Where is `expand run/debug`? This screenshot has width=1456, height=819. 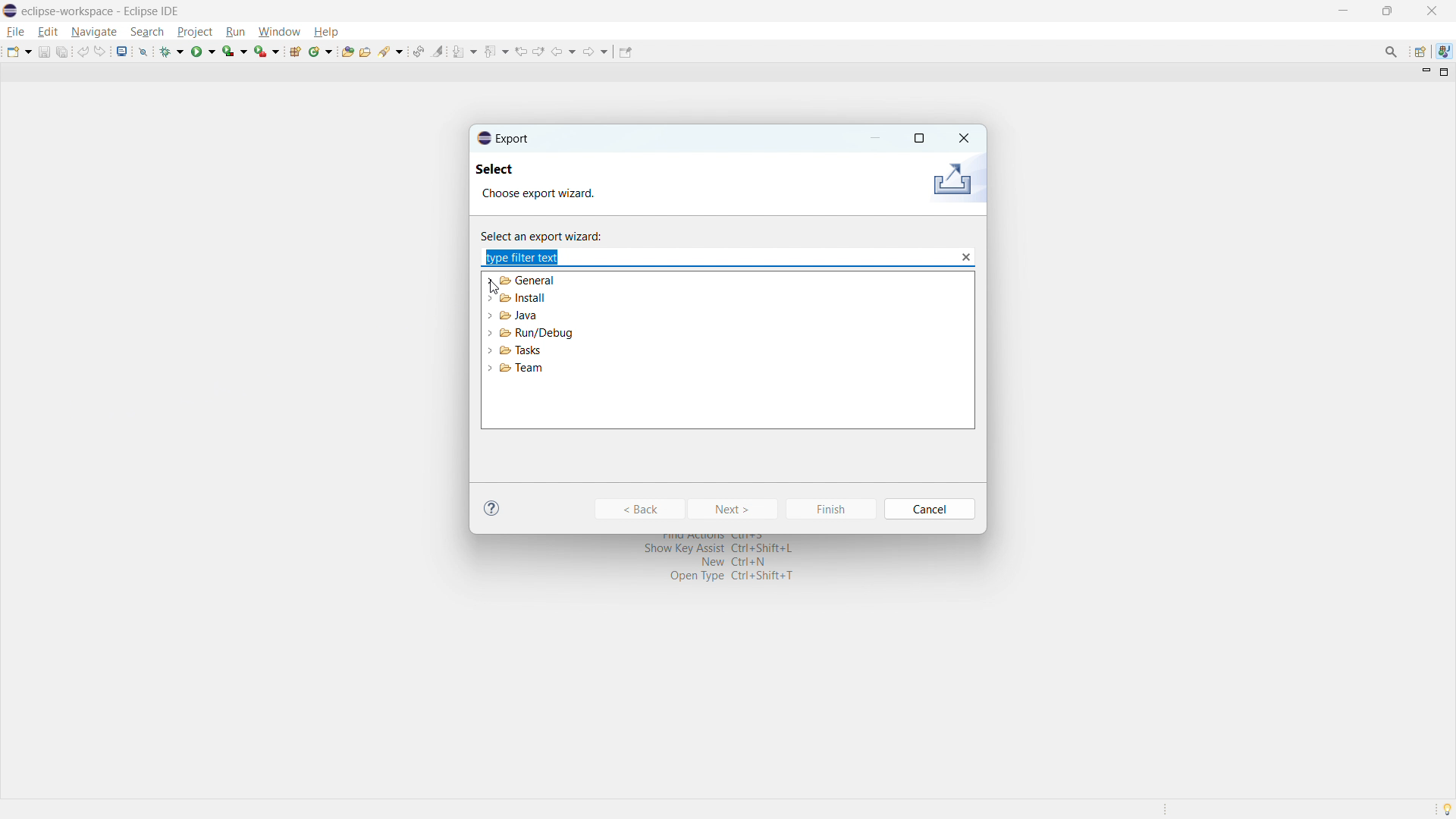
expand run/debug is located at coordinates (490, 333).